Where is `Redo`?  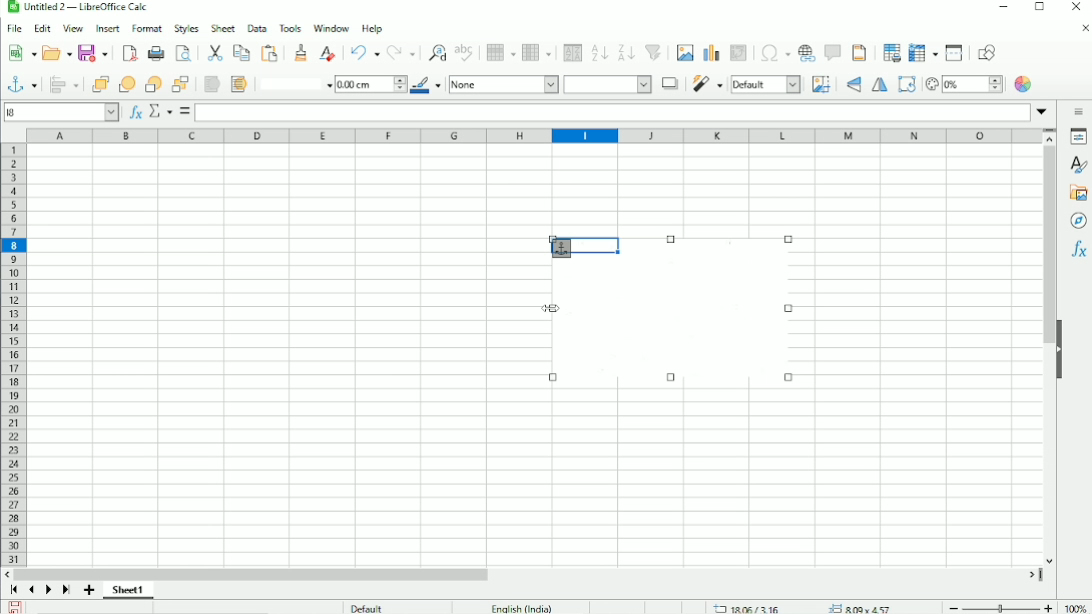
Redo is located at coordinates (402, 53).